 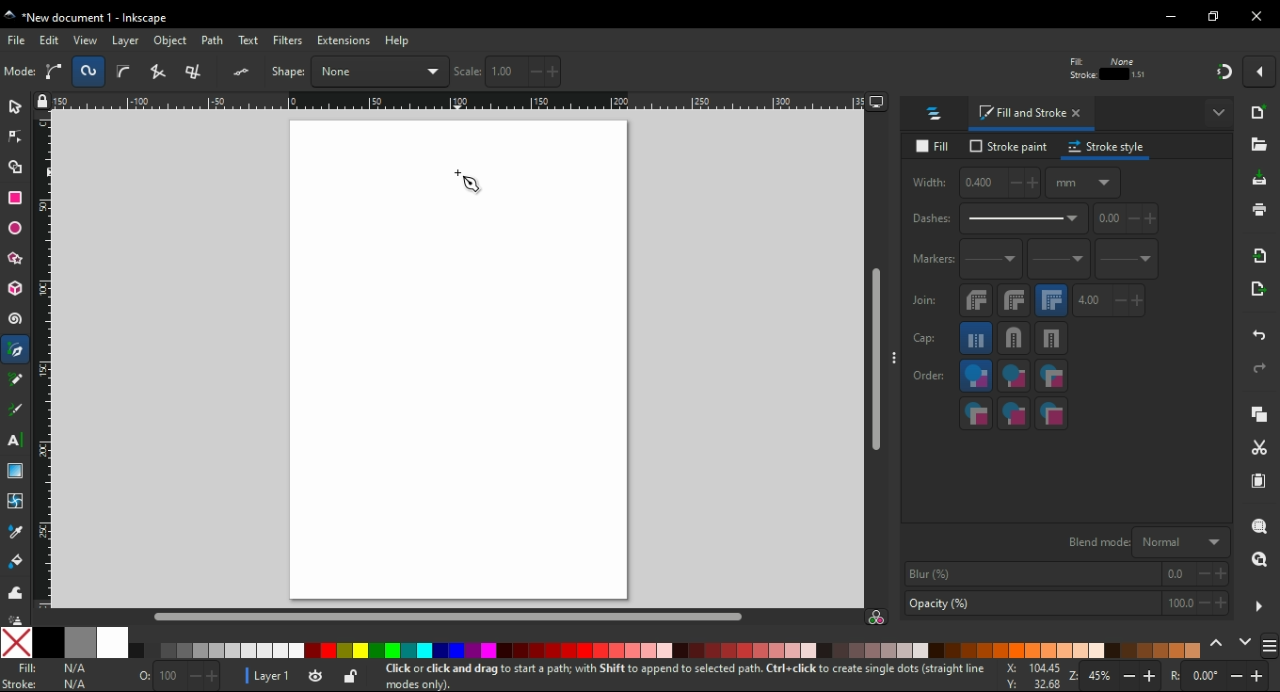 What do you see at coordinates (394, 72) in the screenshot?
I see `lower` at bounding box center [394, 72].